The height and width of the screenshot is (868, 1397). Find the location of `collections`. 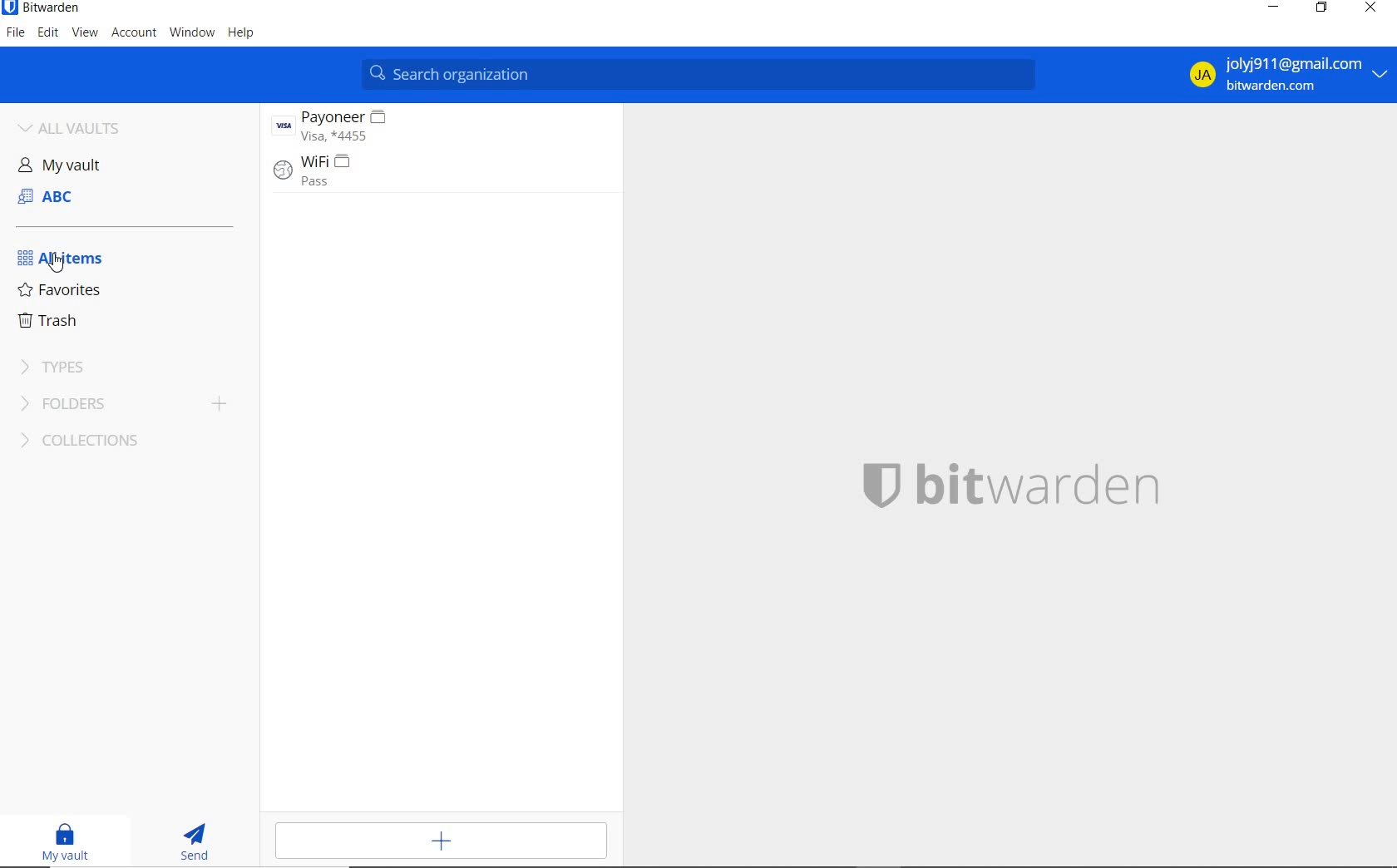

collections is located at coordinates (99, 442).